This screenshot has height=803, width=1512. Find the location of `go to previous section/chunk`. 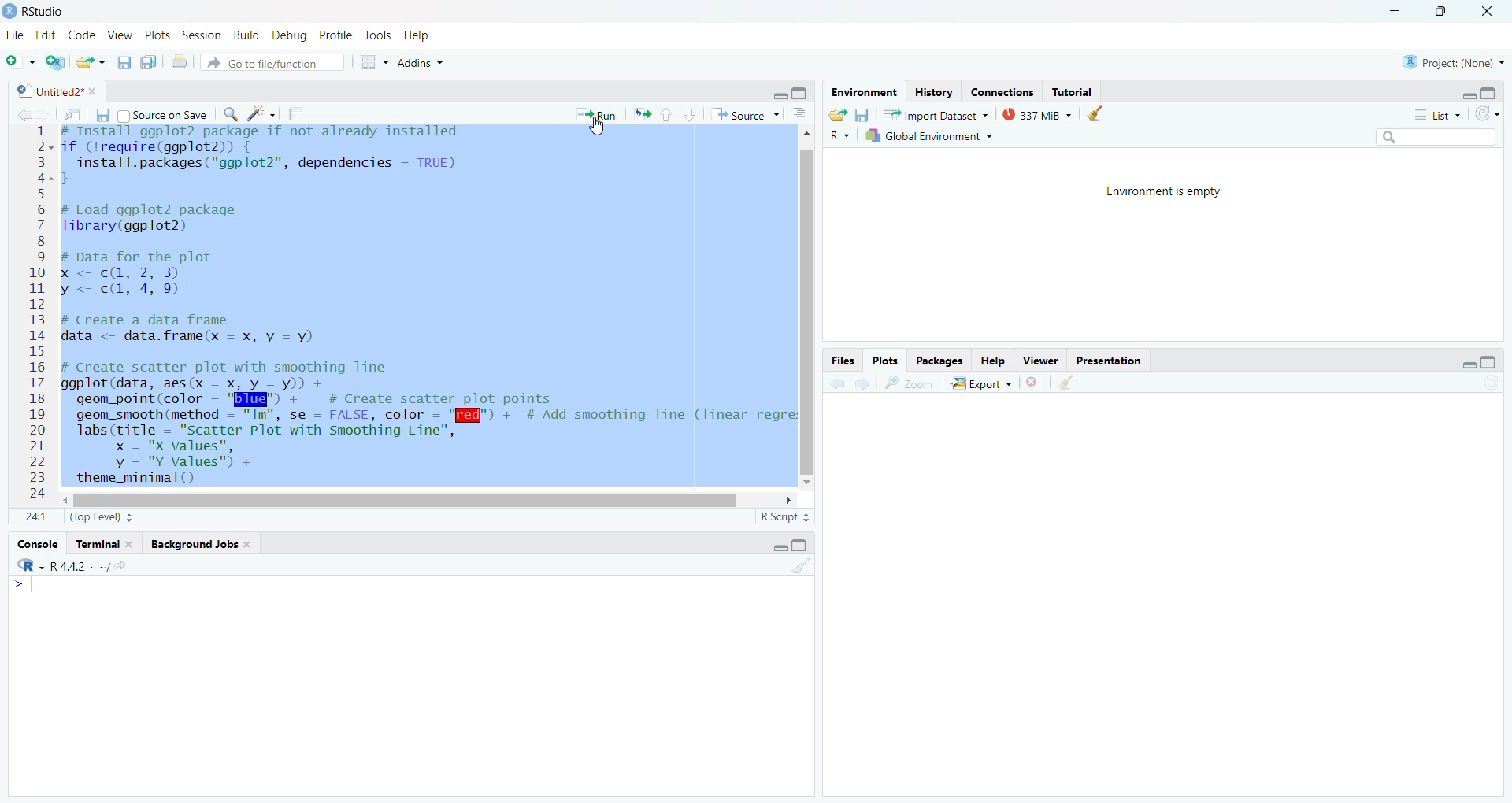

go to previous section/chunk is located at coordinates (665, 116).